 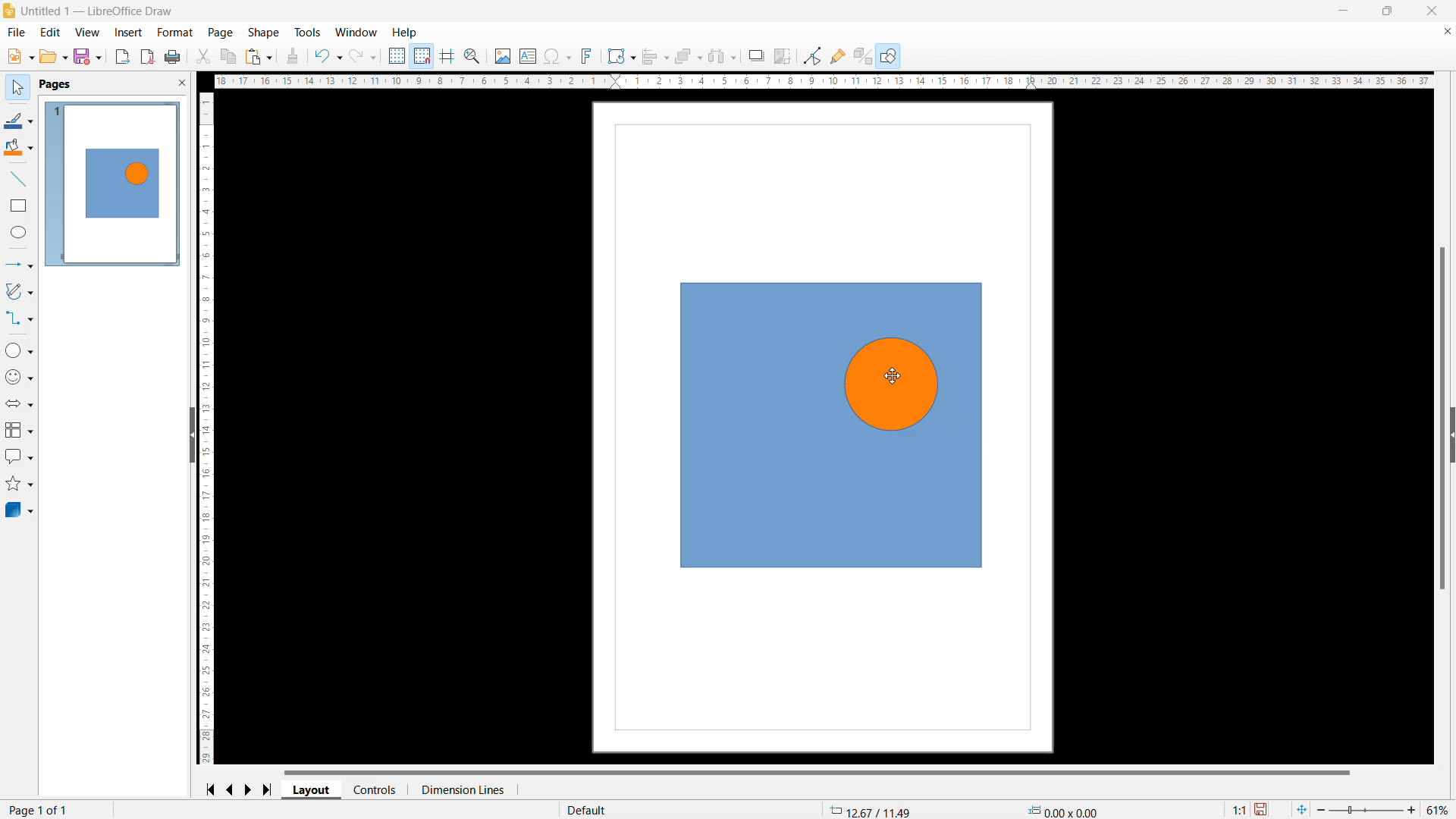 What do you see at coordinates (112, 184) in the screenshot?
I see `page 1` at bounding box center [112, 184].